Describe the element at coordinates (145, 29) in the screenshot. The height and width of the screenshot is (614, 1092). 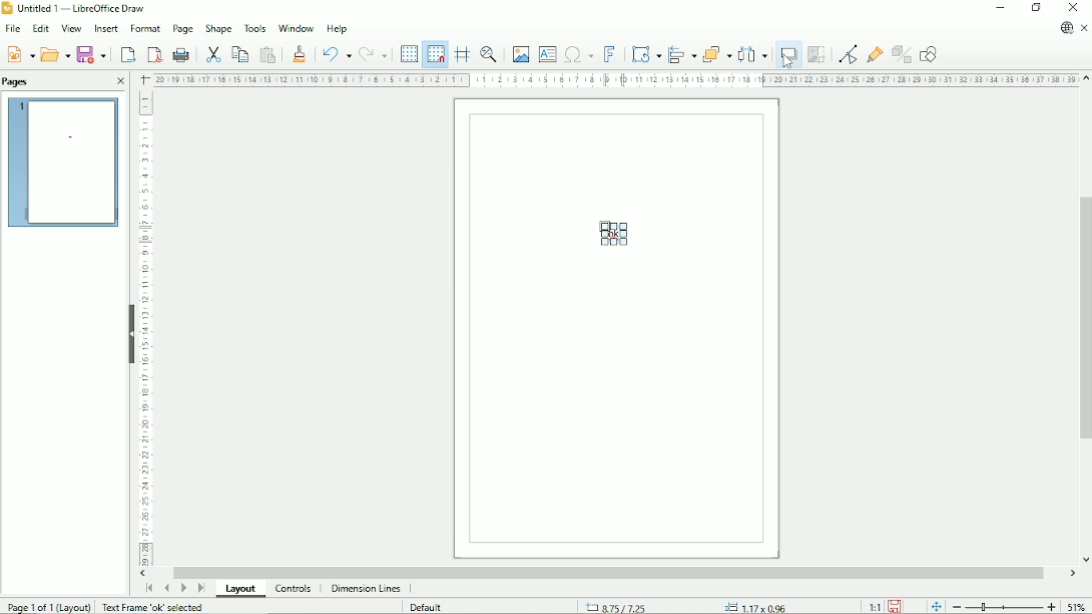
I see `Format` at that location.